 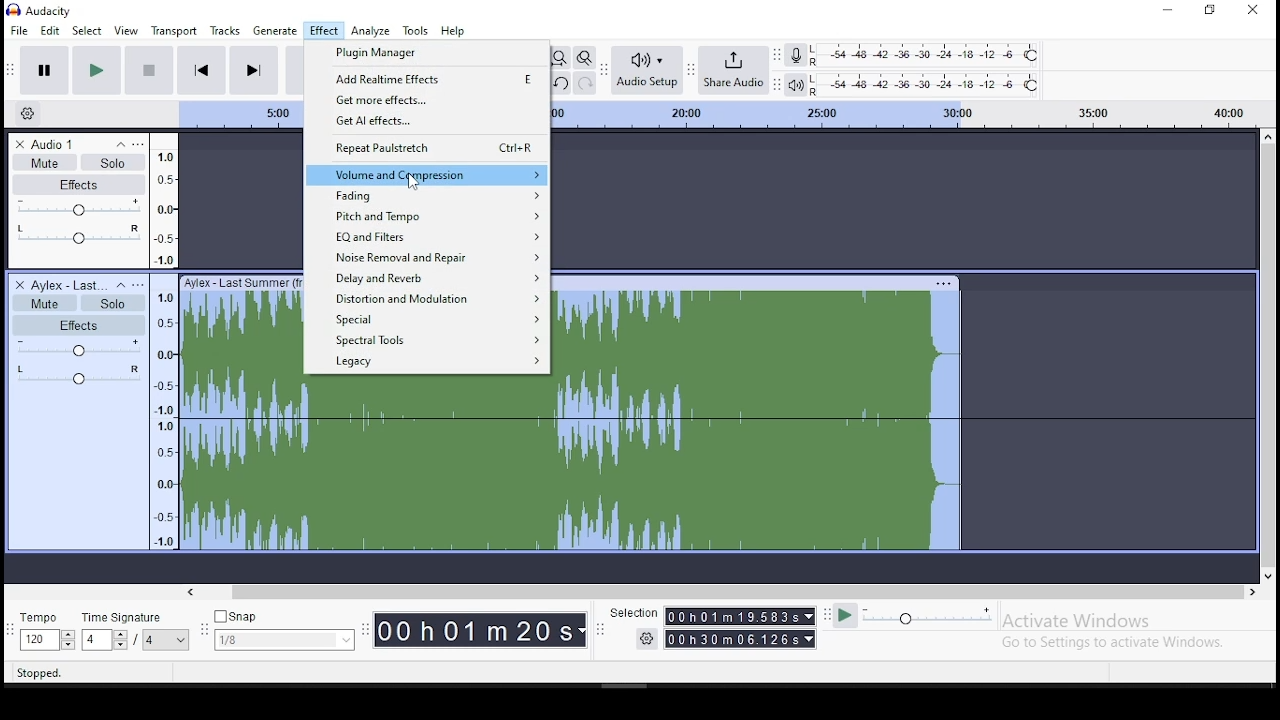 I want to click on stopped, so click(x=40, y=671).